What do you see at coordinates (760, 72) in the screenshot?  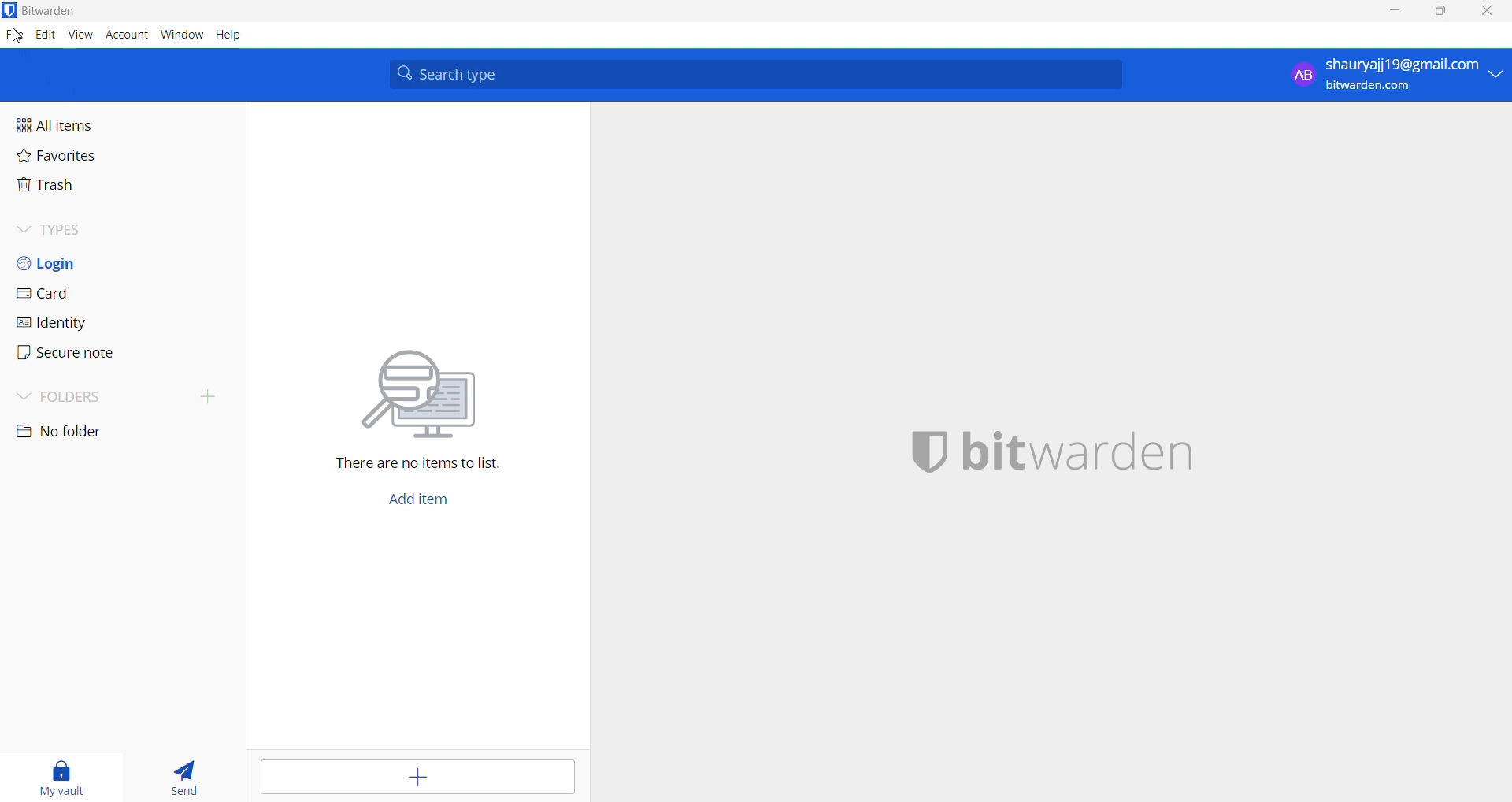 I see `search type` at bounding box center [760, 72].